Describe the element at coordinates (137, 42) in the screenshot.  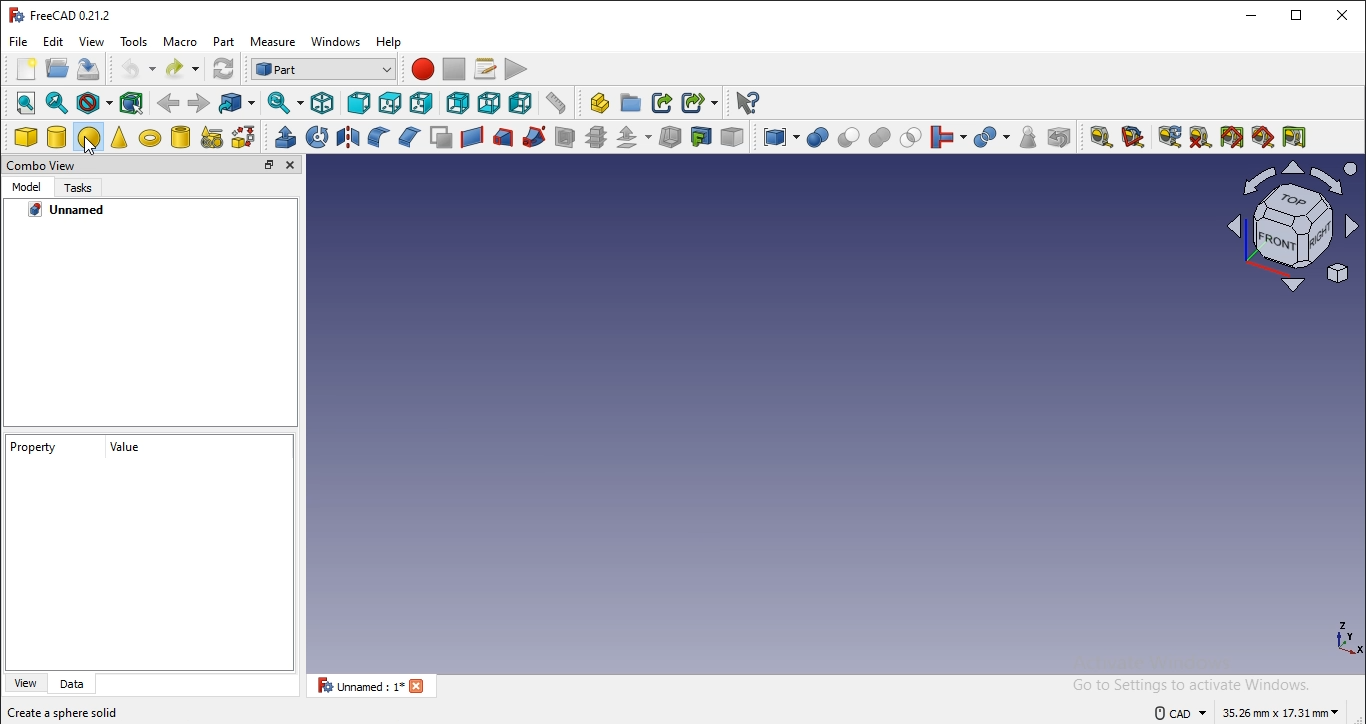
I see `tools` at that location.